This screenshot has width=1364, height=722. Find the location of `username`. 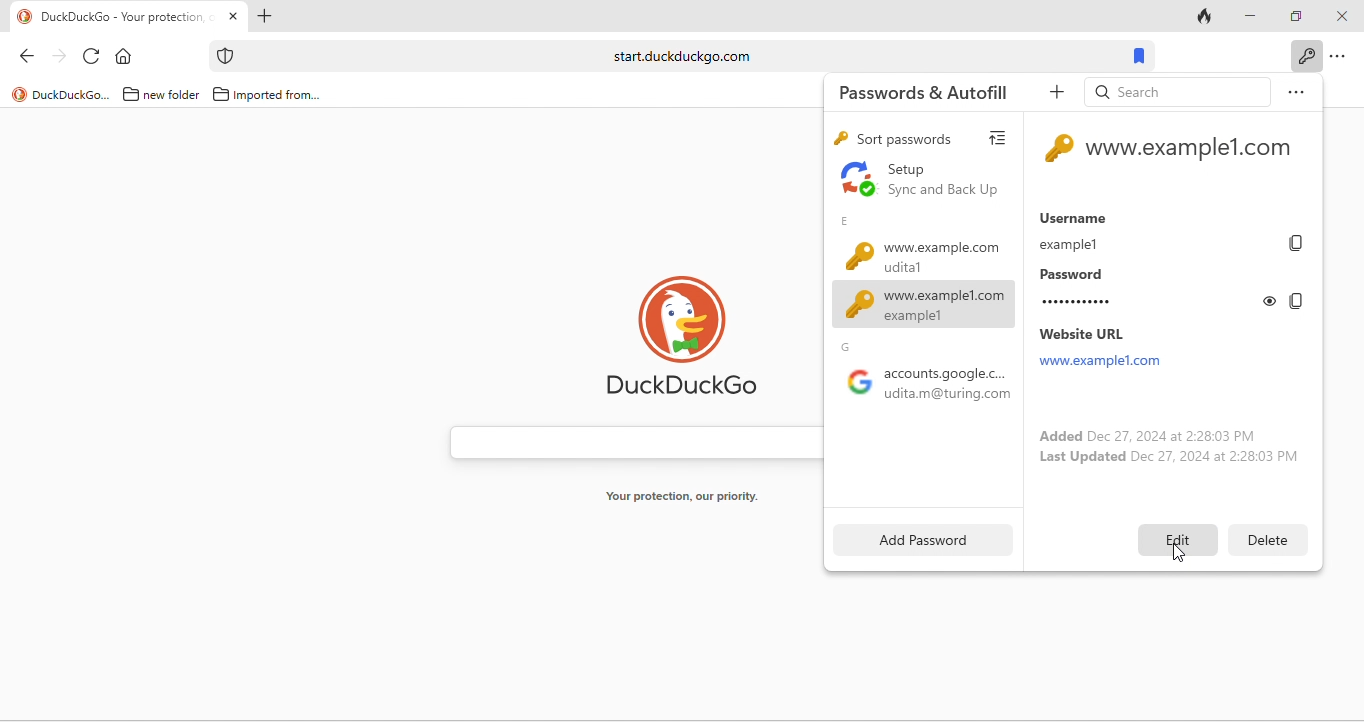

username is located at coordinates (1073, 216).